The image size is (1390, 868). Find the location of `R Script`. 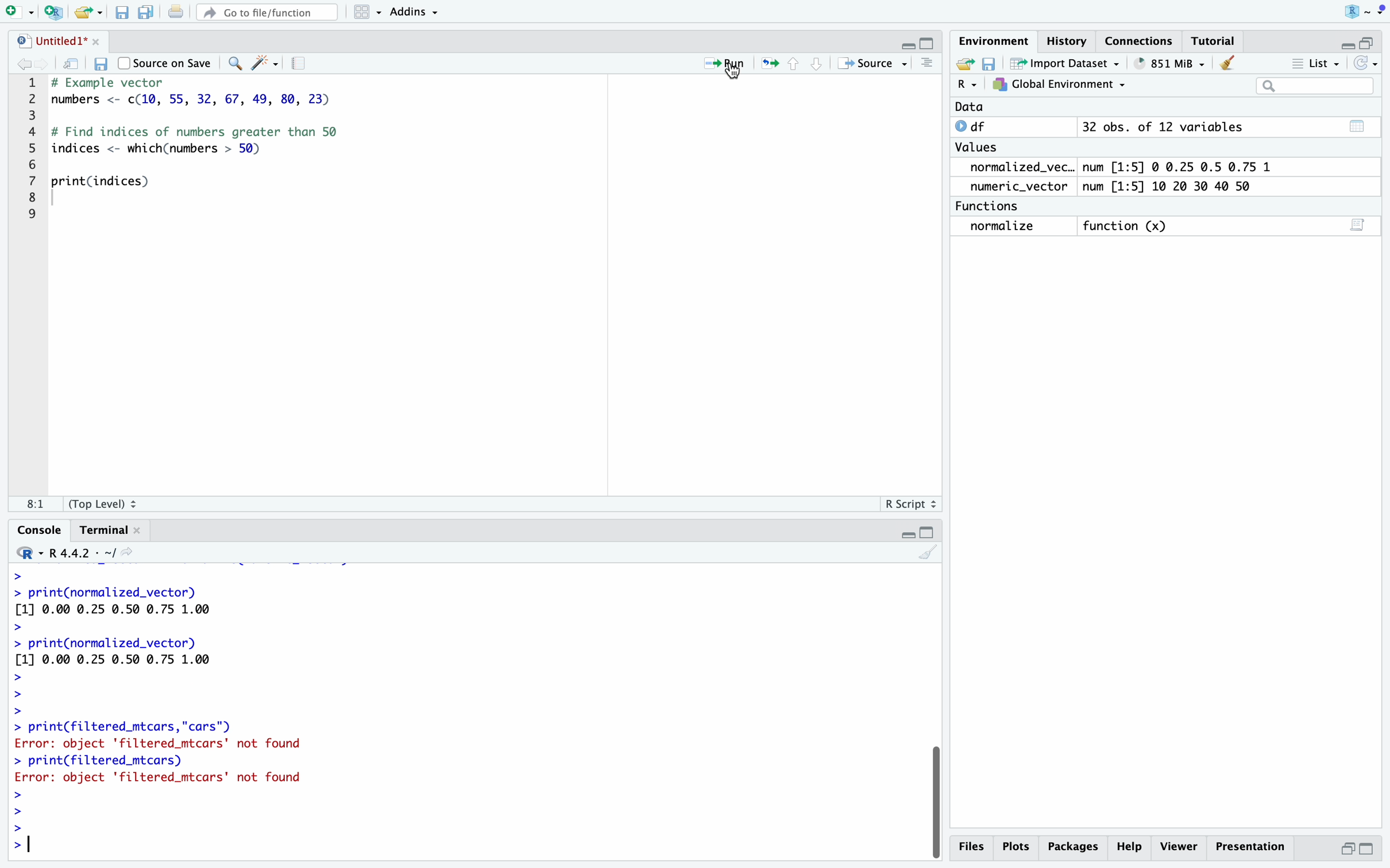

R Script is located at coordinates (907, 504).